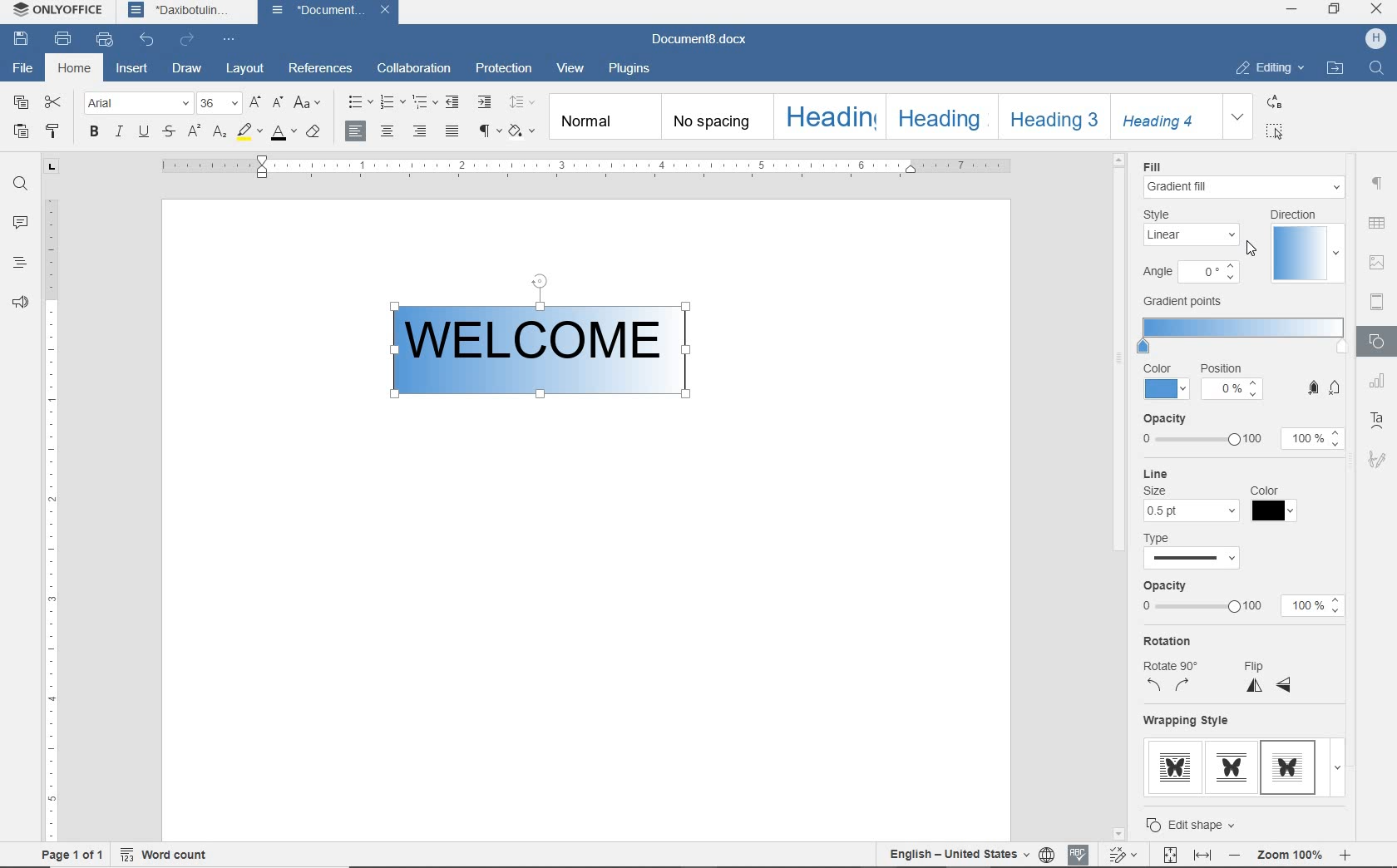 Image resolution: width=1397 pixels, height=868 pixels. Describe the element at coordinates (521, 101) in the screenshot. I see `PARAGRAPH LINE SPACING` at that location.